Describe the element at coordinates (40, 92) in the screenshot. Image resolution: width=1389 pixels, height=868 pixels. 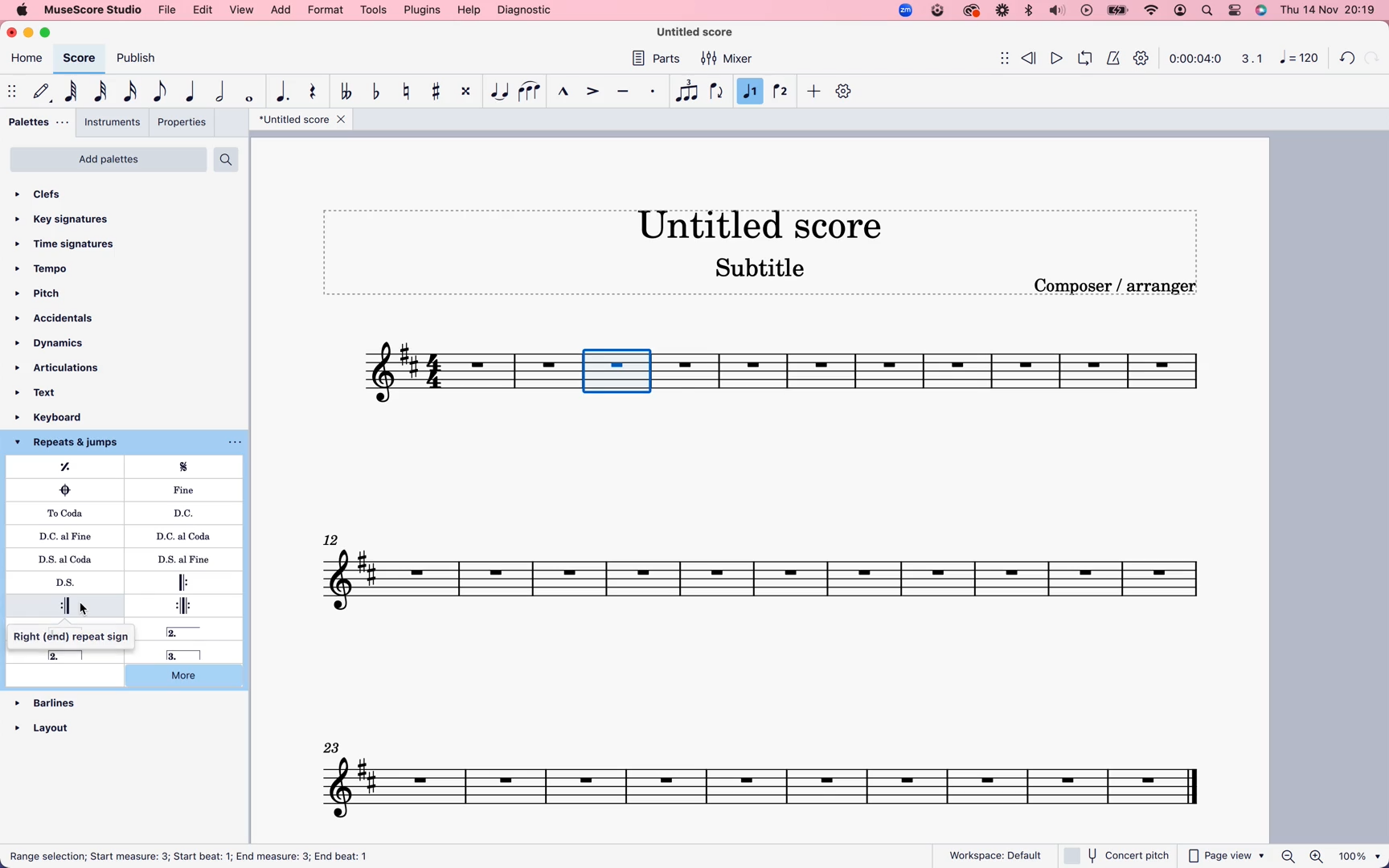
I see `default` at that location.